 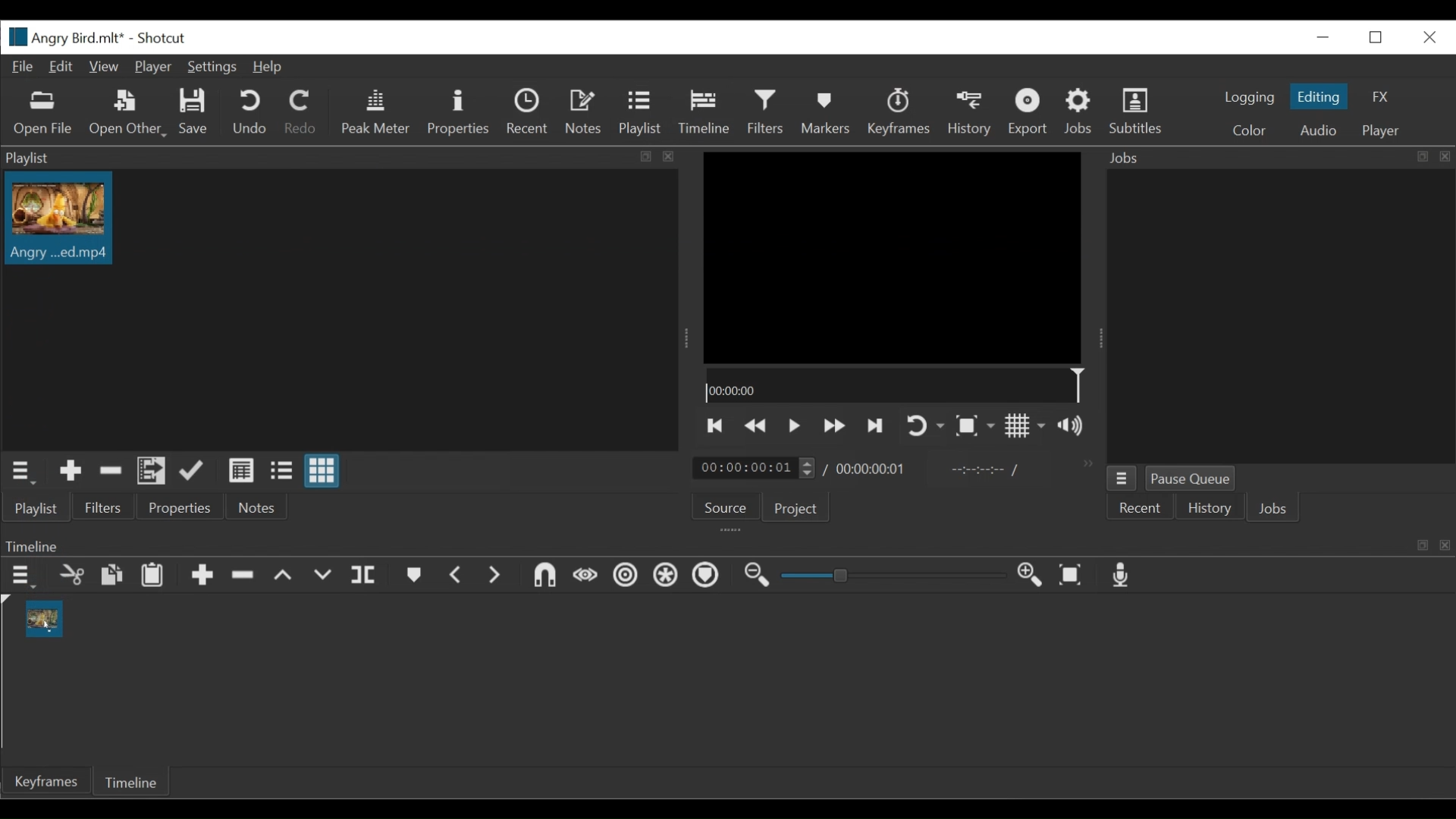 What do you see at coordinates (24, 67) in the screenshot?
I see `File` at bounding box center [24, 67].